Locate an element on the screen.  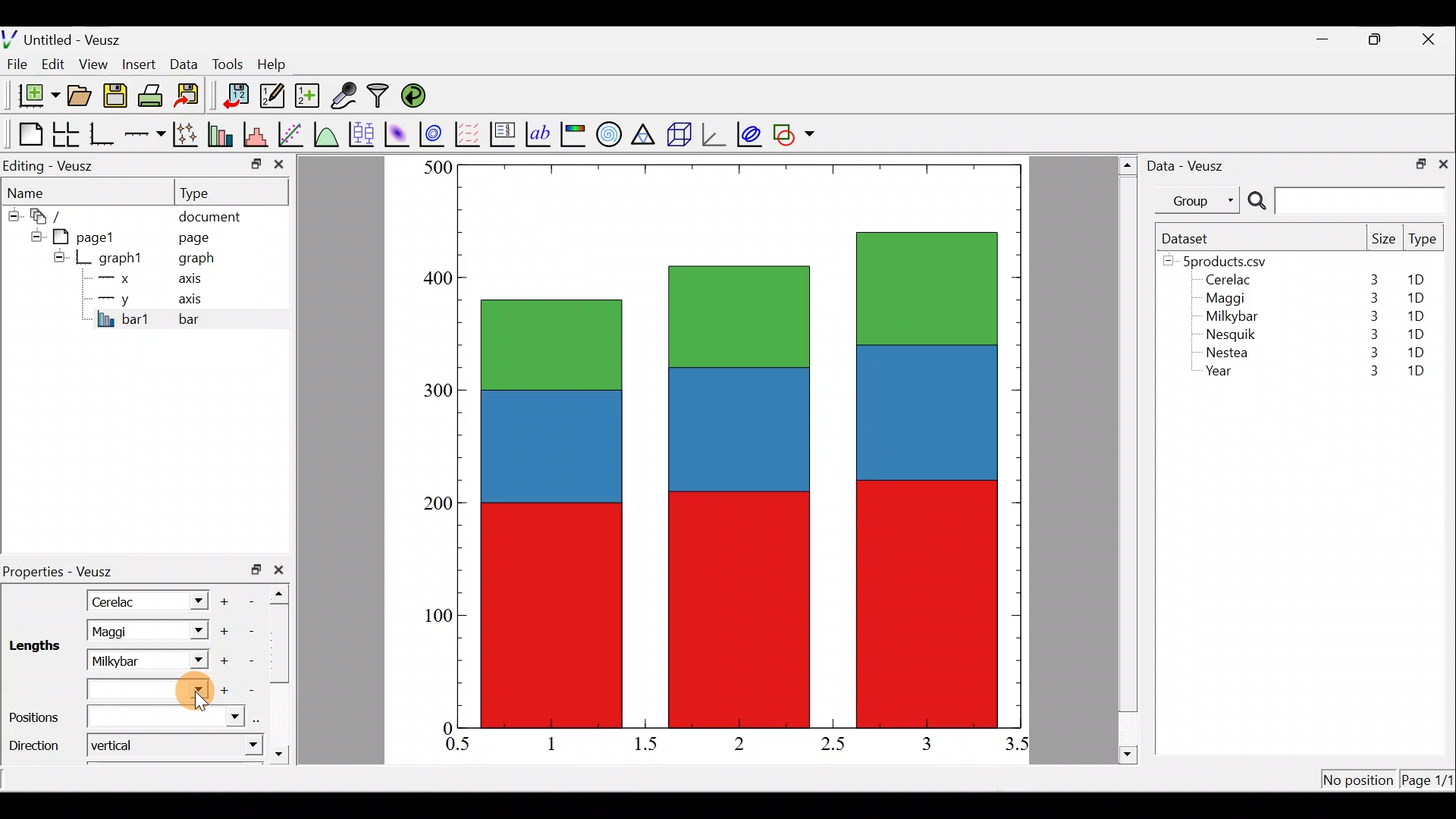
Import data into veusz is located at coordinates (237, 96).